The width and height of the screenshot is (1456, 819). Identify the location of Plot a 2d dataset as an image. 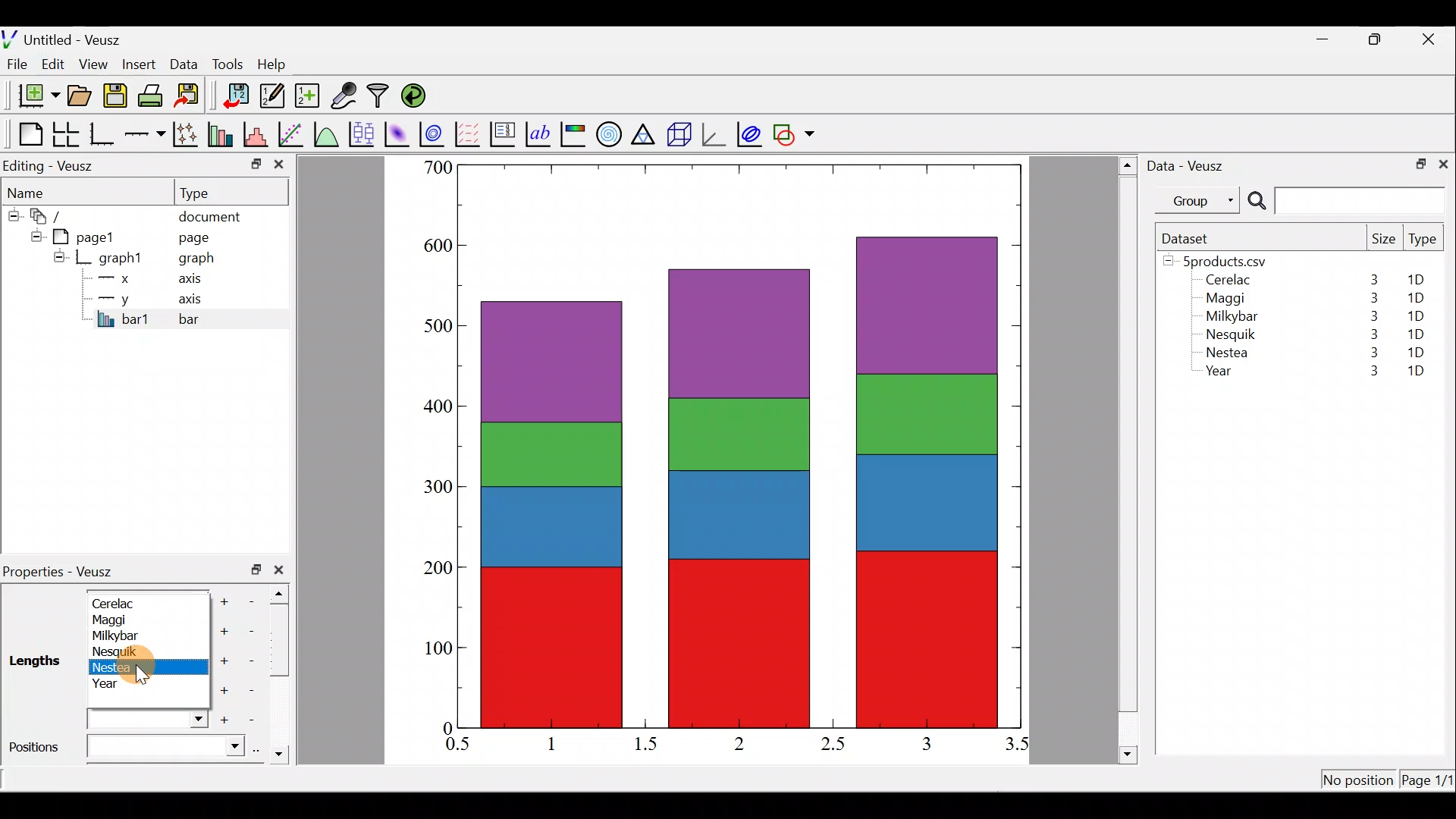
(399, 132).